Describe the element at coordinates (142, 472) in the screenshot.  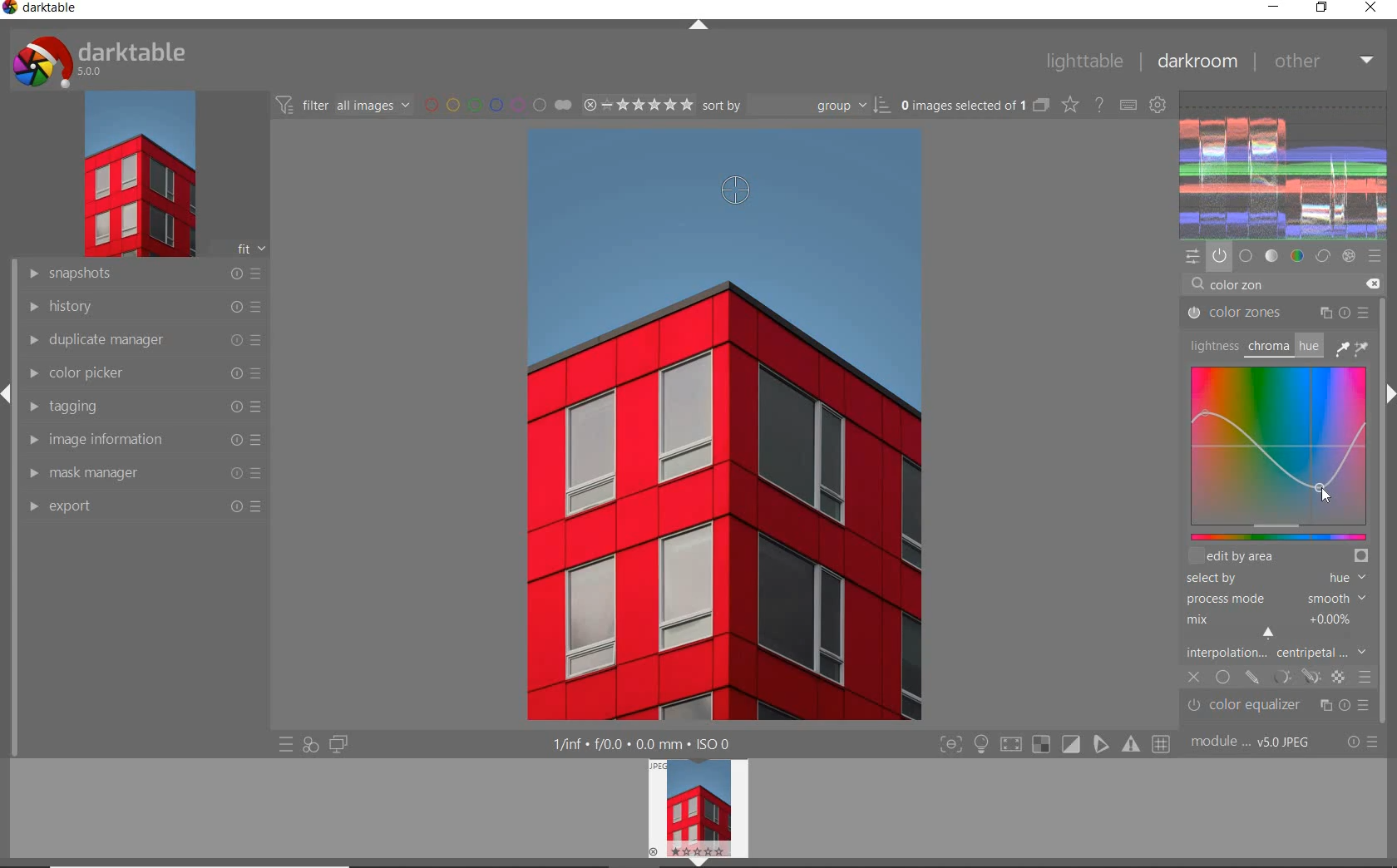
I see `mask manager` at that location.